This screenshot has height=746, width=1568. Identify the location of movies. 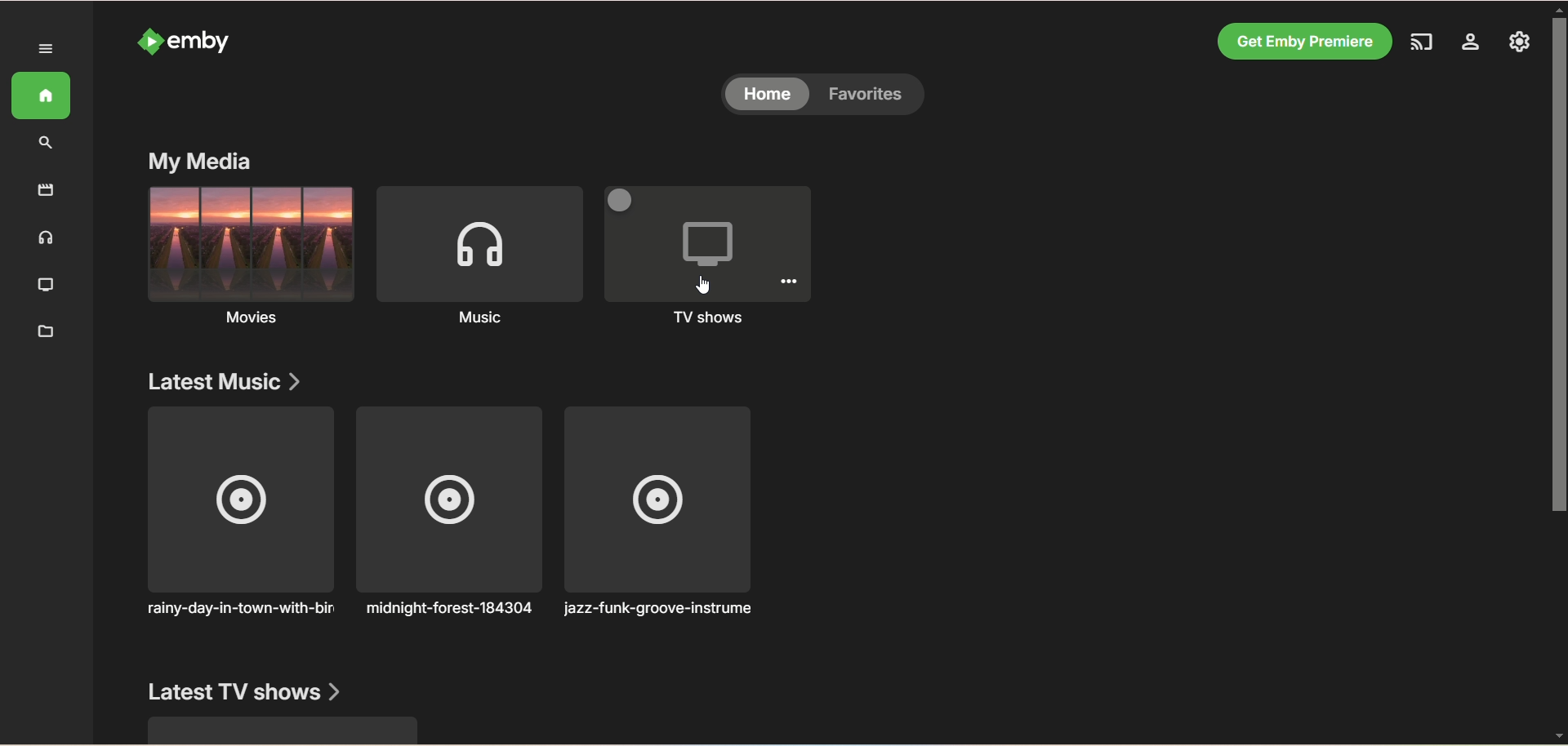
(46, 189).